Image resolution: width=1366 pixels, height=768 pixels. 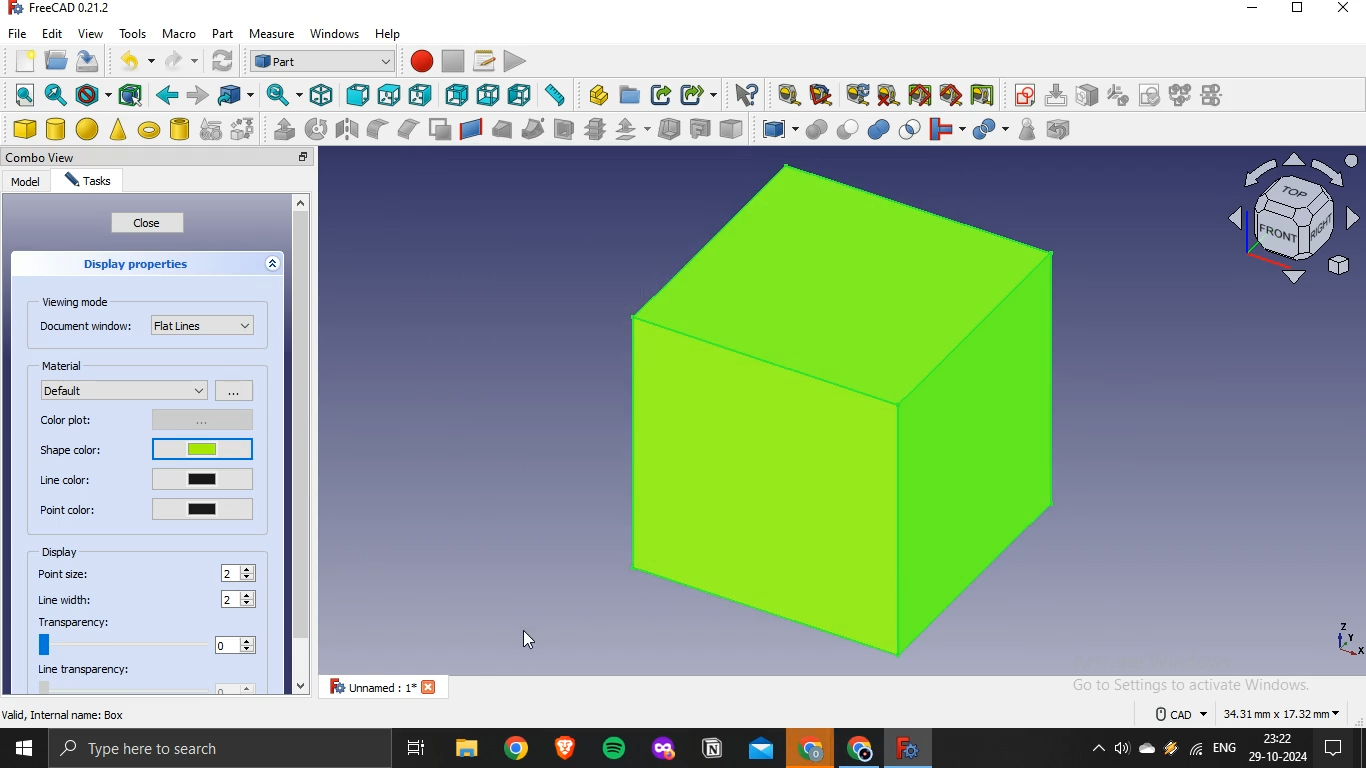 What do you see at coordinates (822, 95) in the screenshot?
I see `measure angular` at bounding box center [822, 95].